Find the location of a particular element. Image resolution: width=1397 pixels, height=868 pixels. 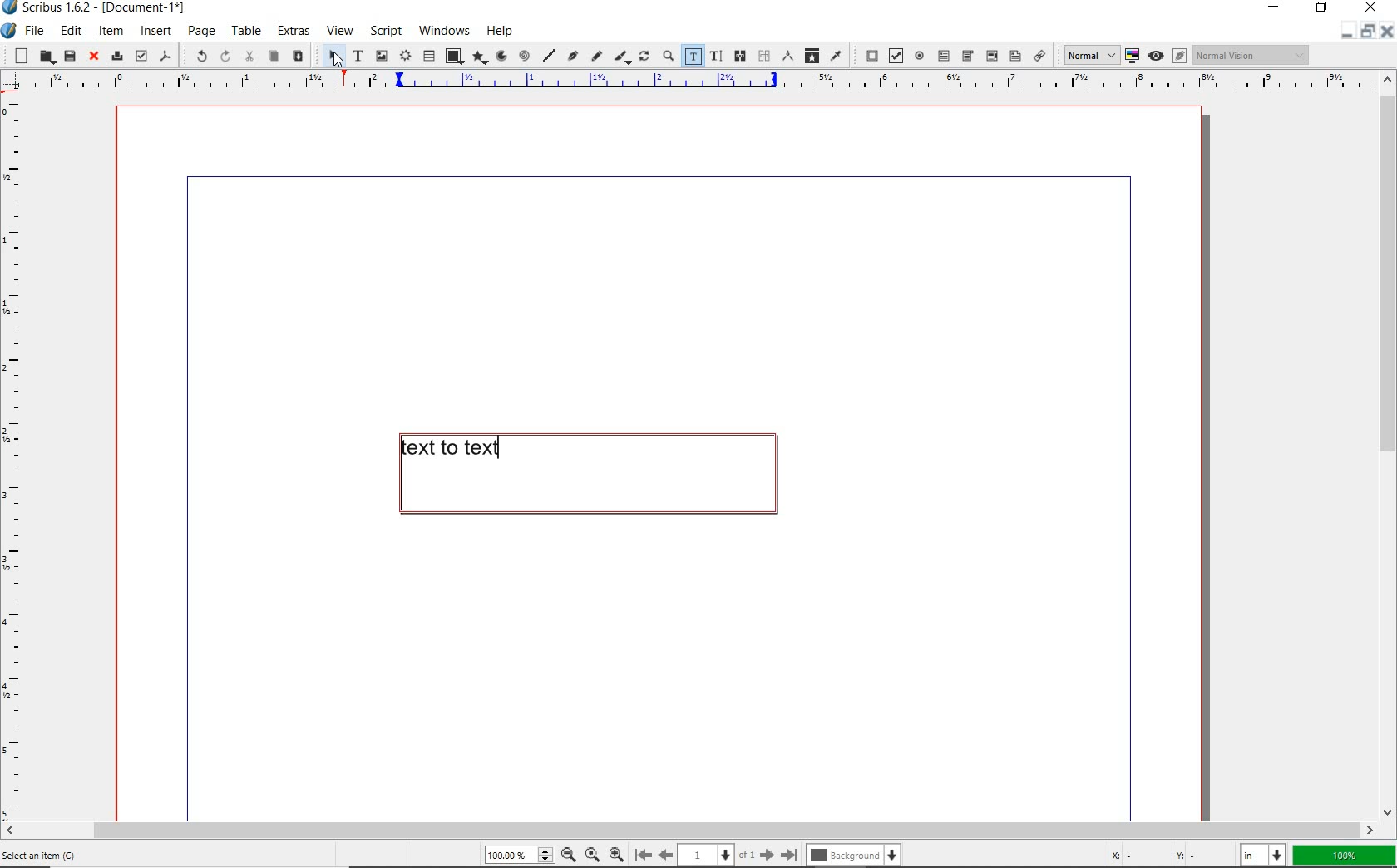

in is located at coordinates (1265, 854).